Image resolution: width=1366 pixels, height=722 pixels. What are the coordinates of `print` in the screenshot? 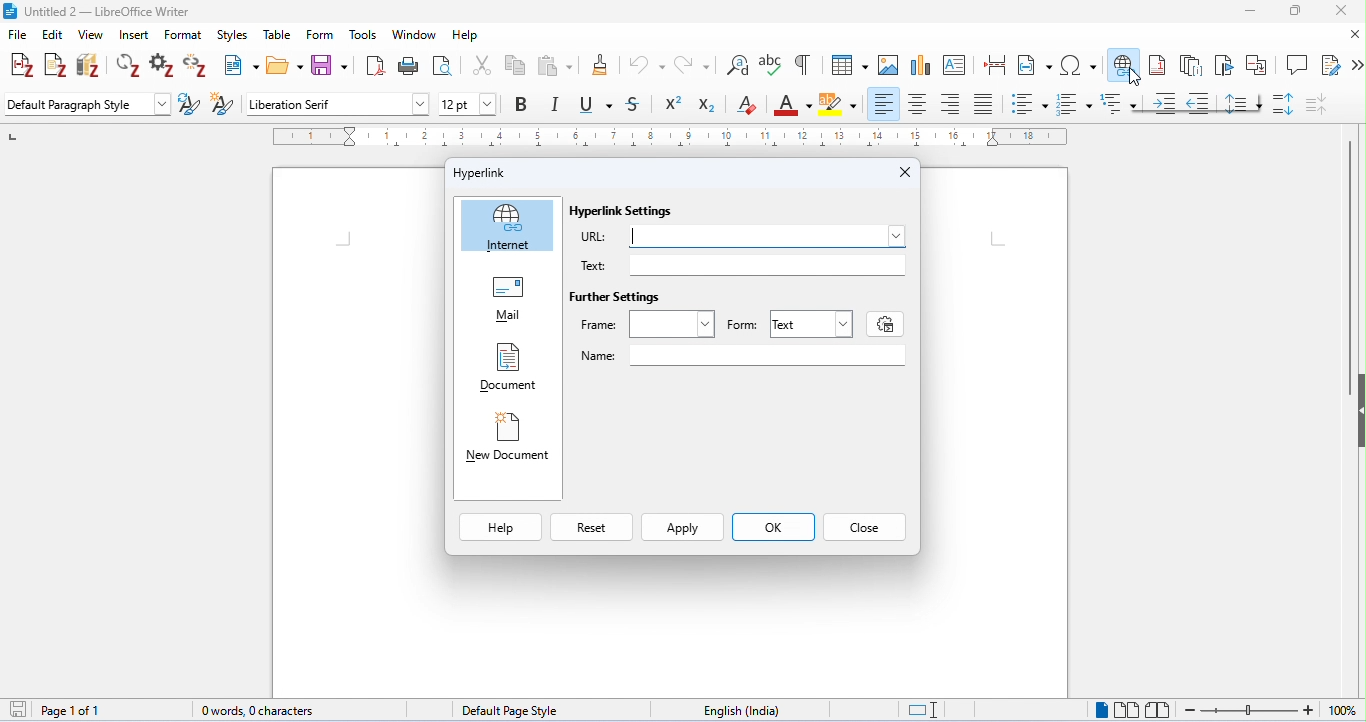 It's located at (406, 66).